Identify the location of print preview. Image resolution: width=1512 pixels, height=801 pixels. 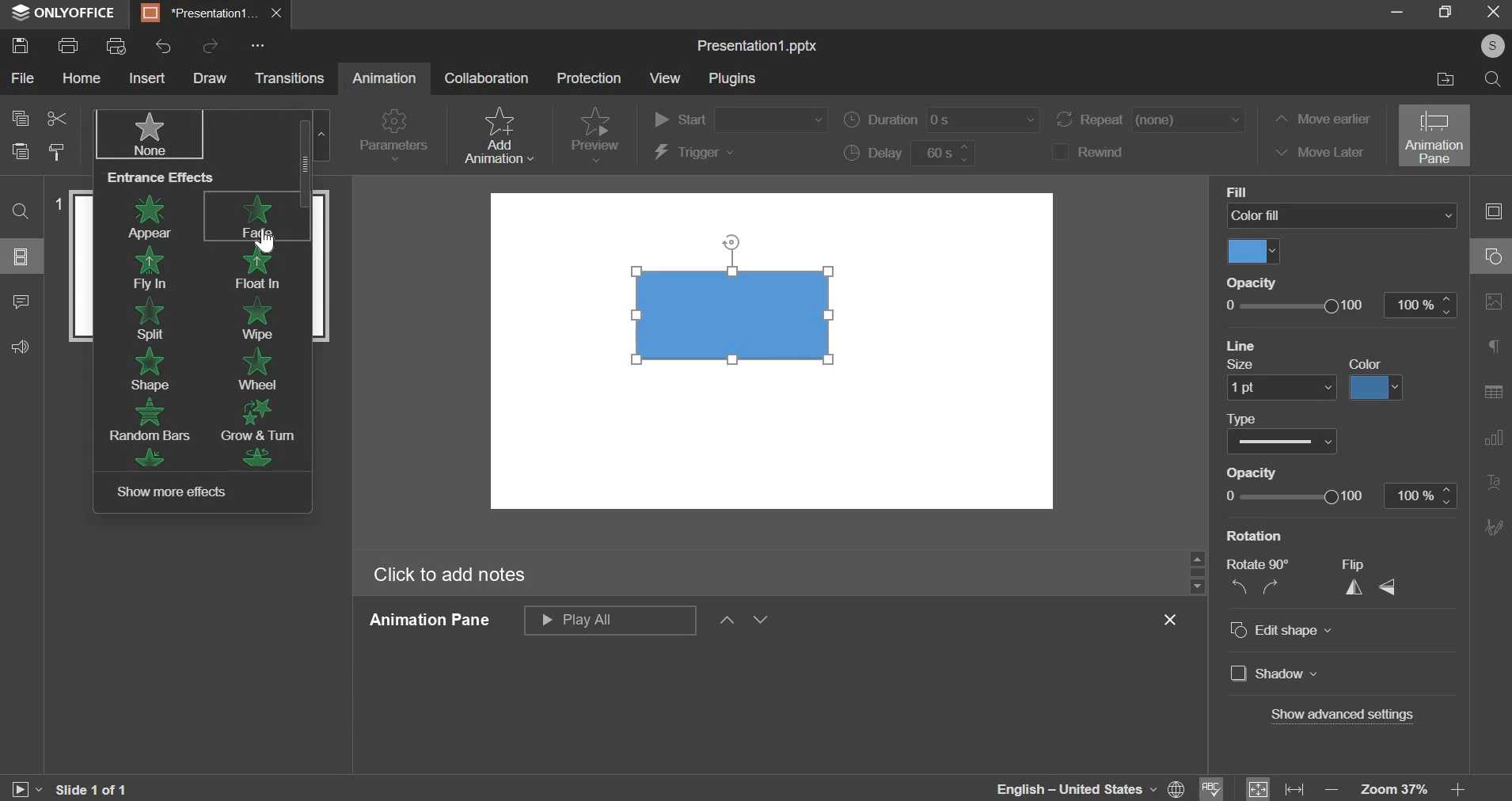
(117, 46).